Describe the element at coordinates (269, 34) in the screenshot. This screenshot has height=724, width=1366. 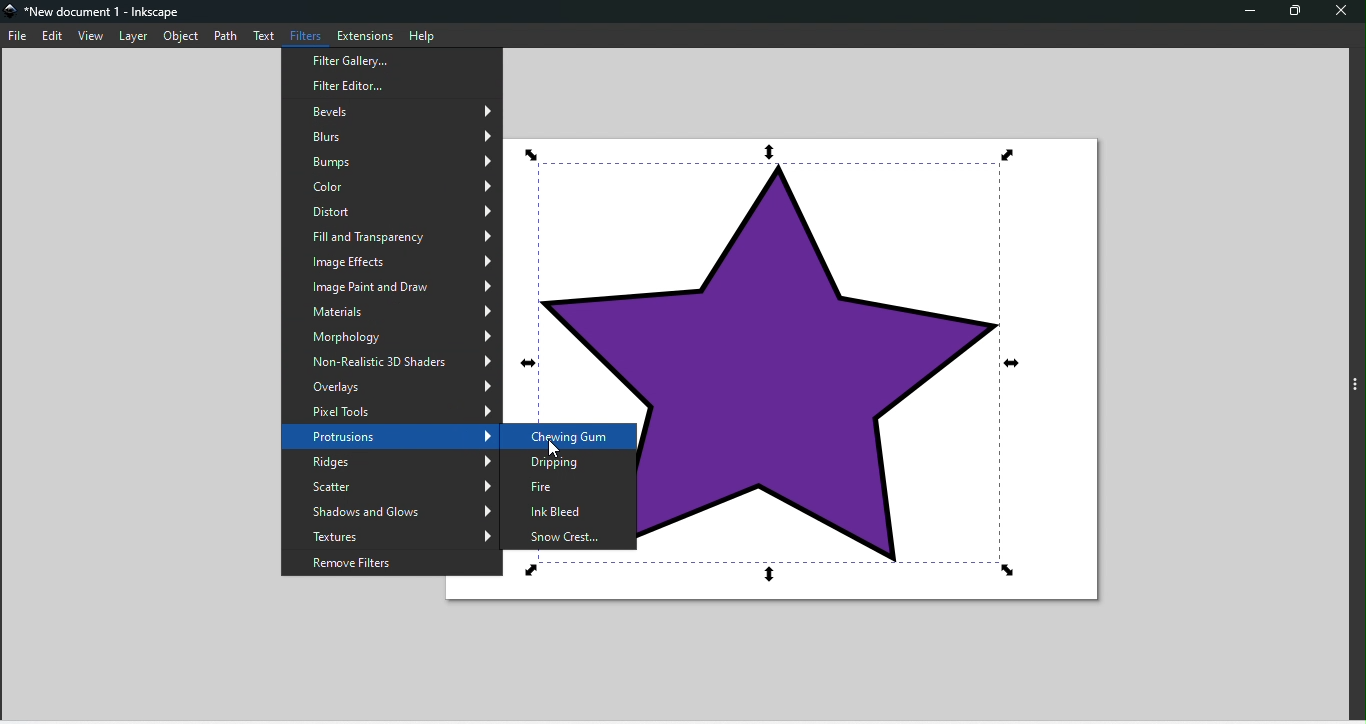
I see `Text` at that location.